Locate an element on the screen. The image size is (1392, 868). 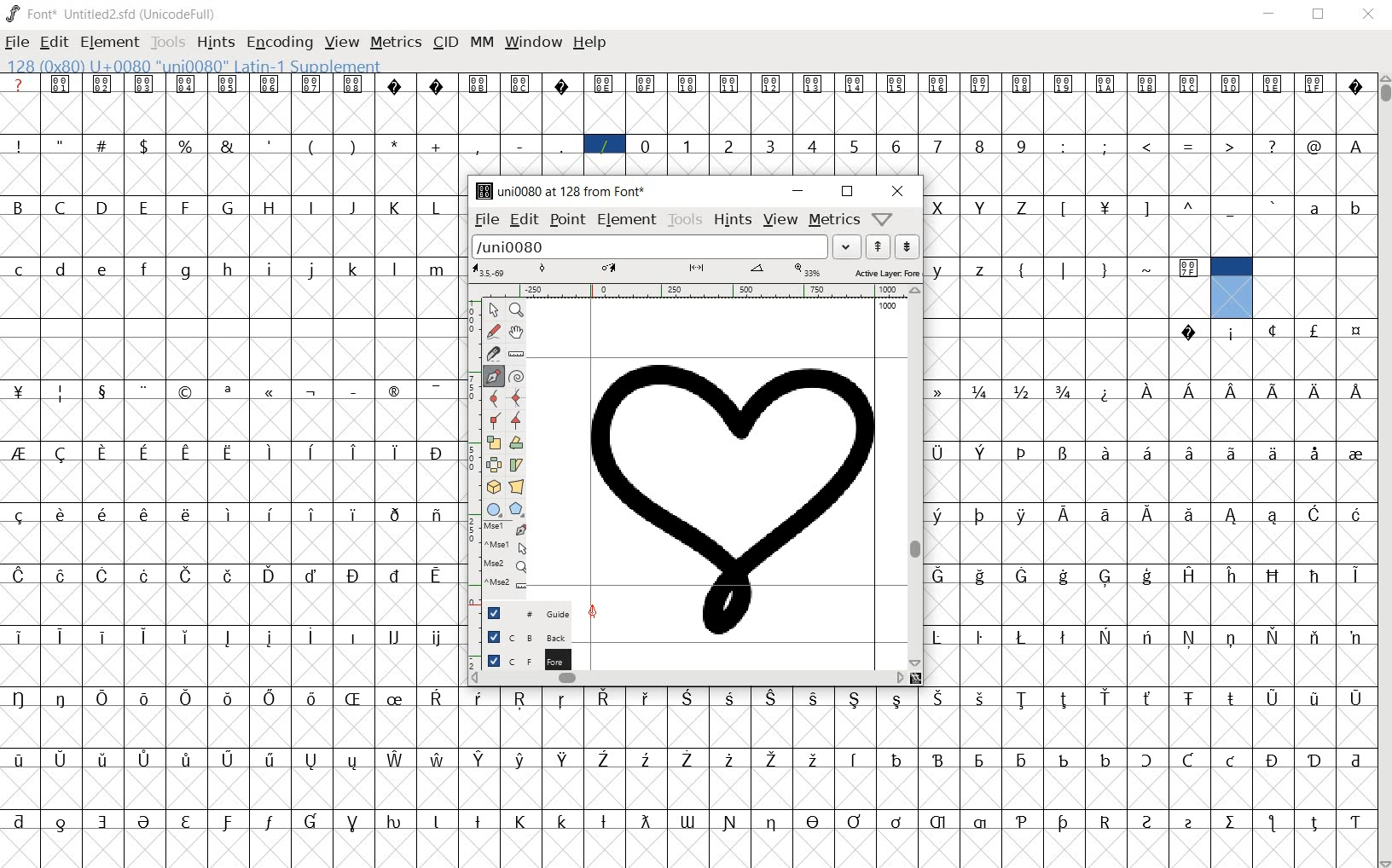
RESTORE is located at coordinates (1322, 16).